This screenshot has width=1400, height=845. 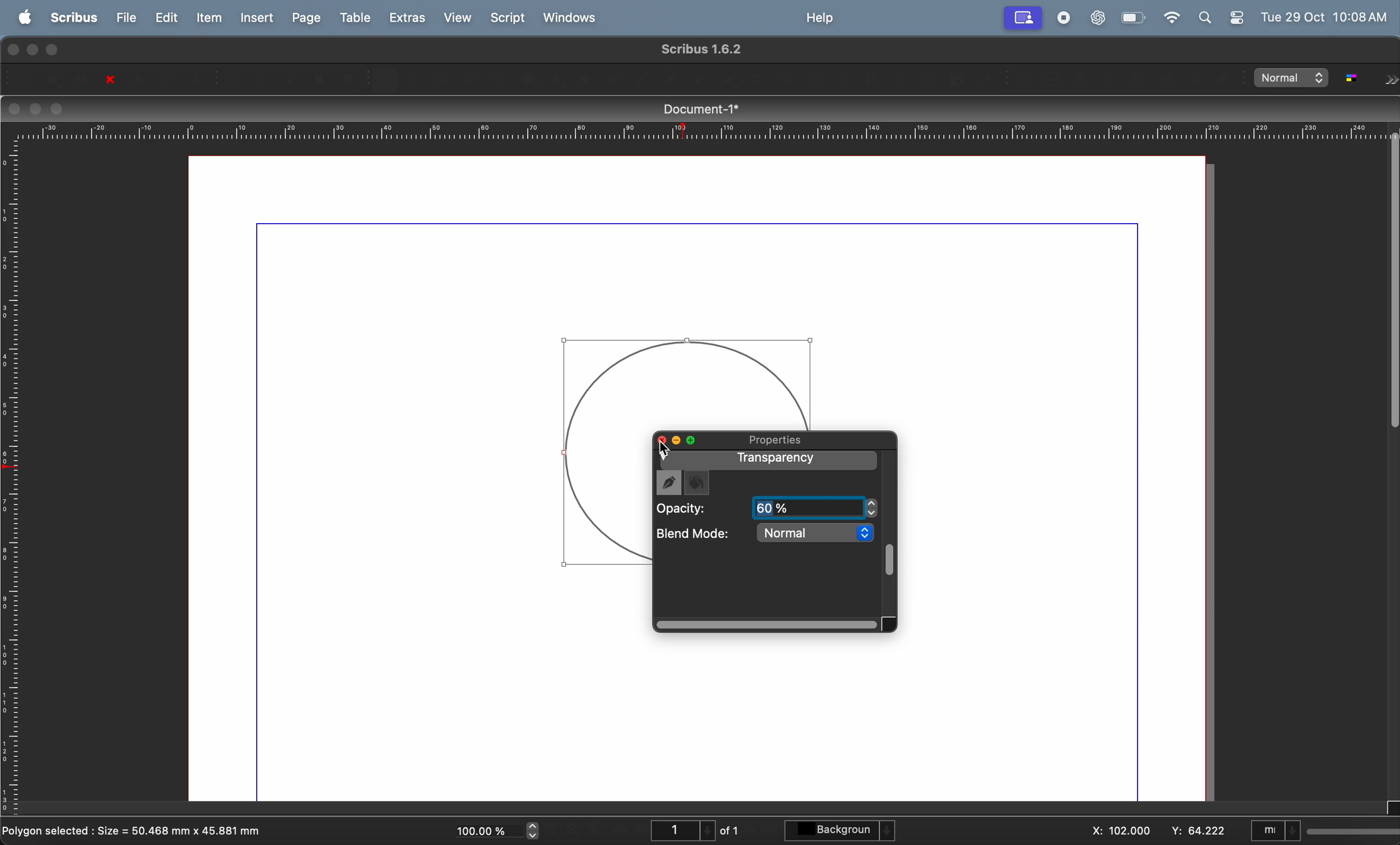 What do you see at coordinates (1293, 78) in the screenshot?
I see `select image preview` at bounding box center [1293, 78].